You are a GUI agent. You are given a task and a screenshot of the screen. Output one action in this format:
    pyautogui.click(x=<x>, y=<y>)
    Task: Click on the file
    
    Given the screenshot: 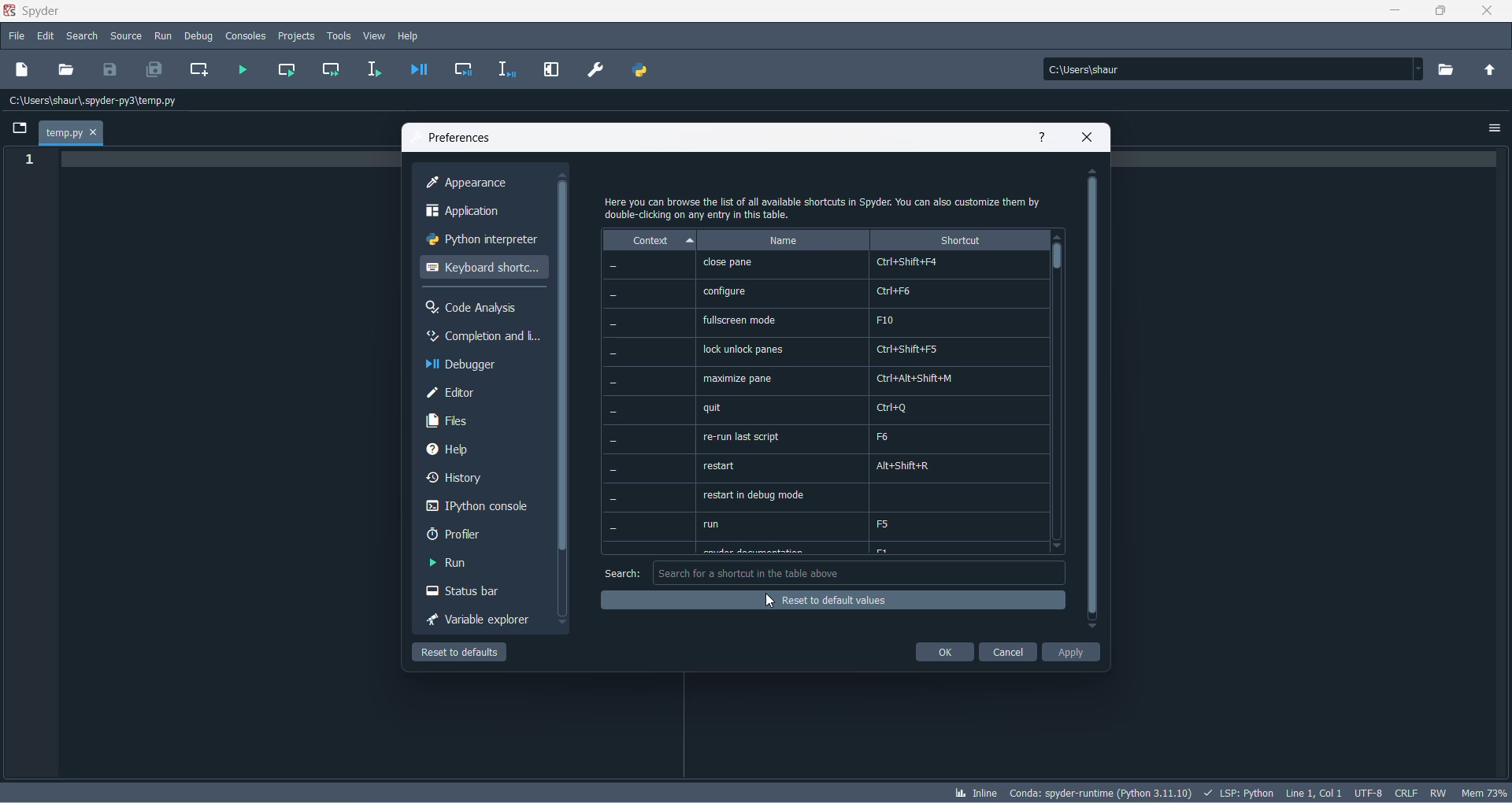 What is the action you would take?
    pyautogui.click(x=18, y=35)
    